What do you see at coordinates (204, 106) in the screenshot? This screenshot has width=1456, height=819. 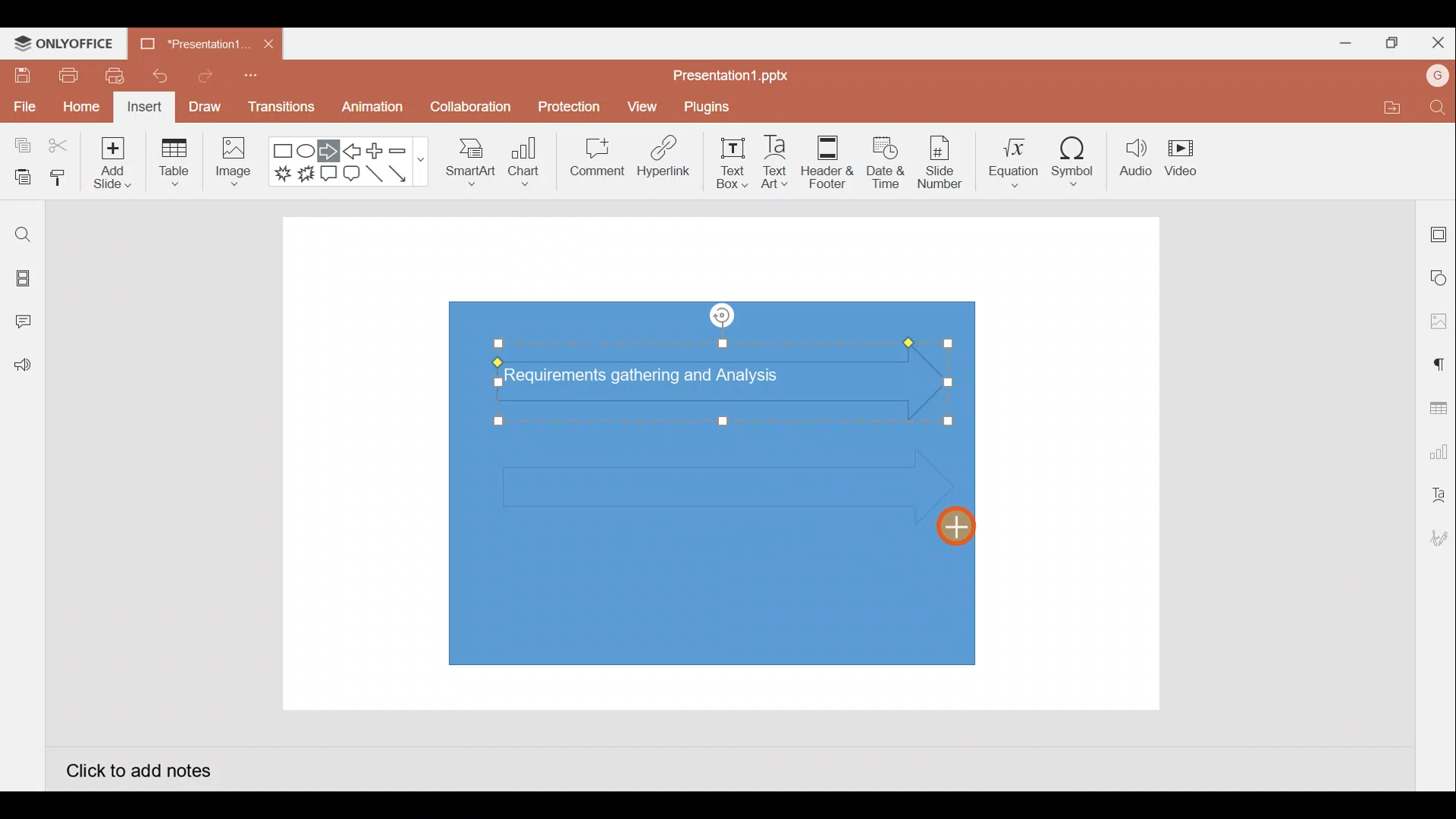 I see `Draw` at bounding box center [204, 106].